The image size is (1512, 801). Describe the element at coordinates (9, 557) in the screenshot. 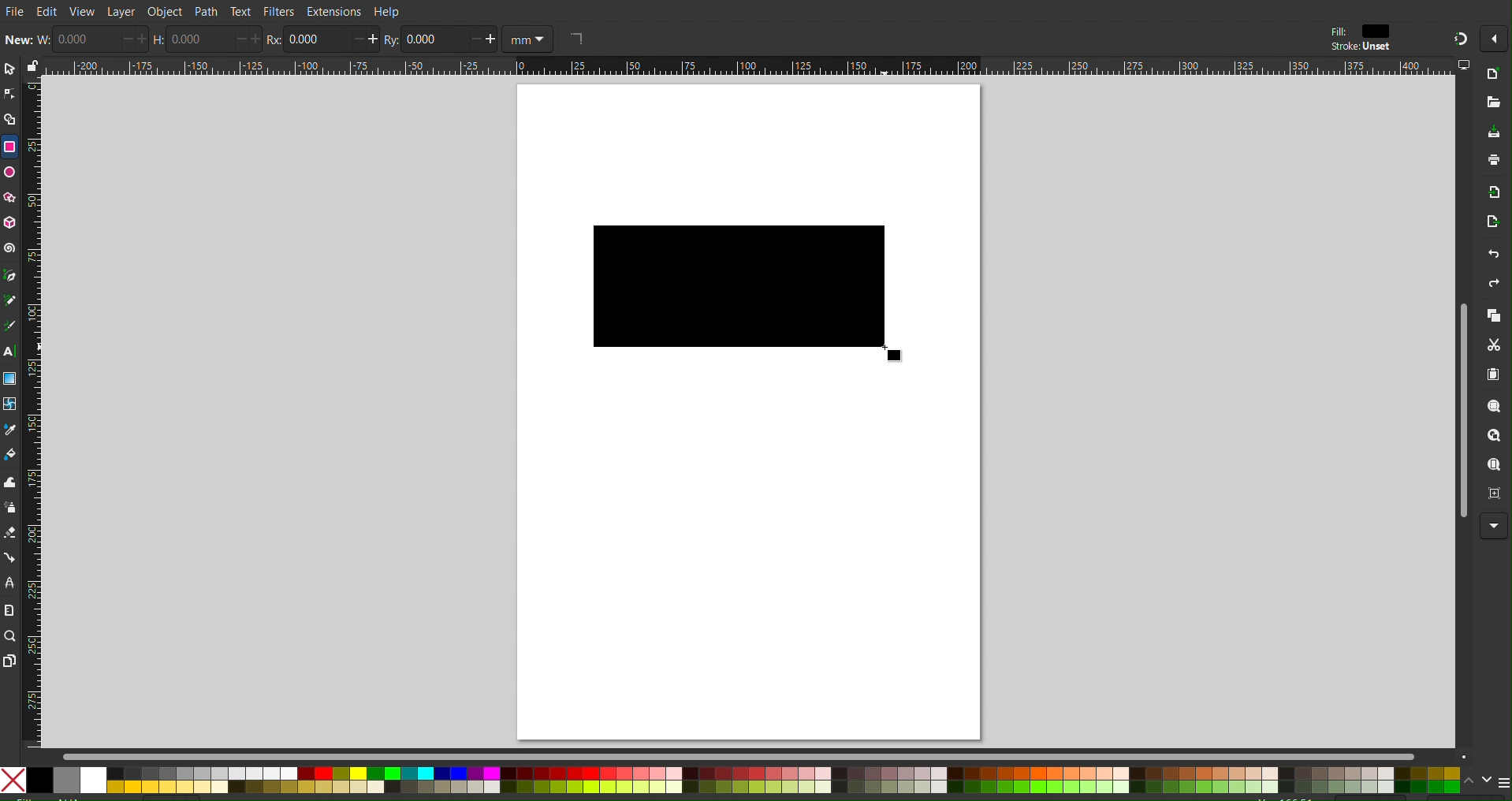

I see `Connection` at that location.